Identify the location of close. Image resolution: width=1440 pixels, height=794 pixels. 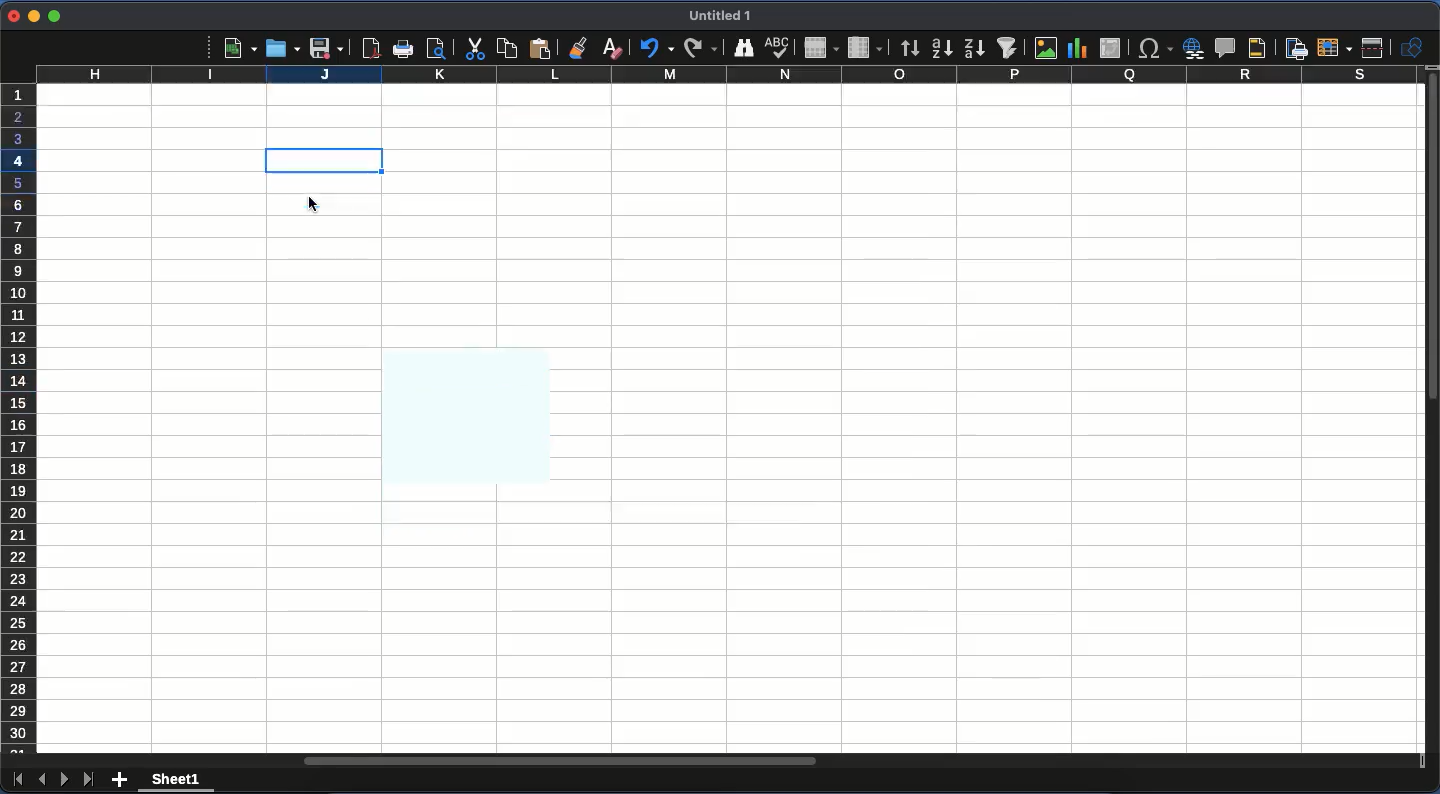
(11, 15).